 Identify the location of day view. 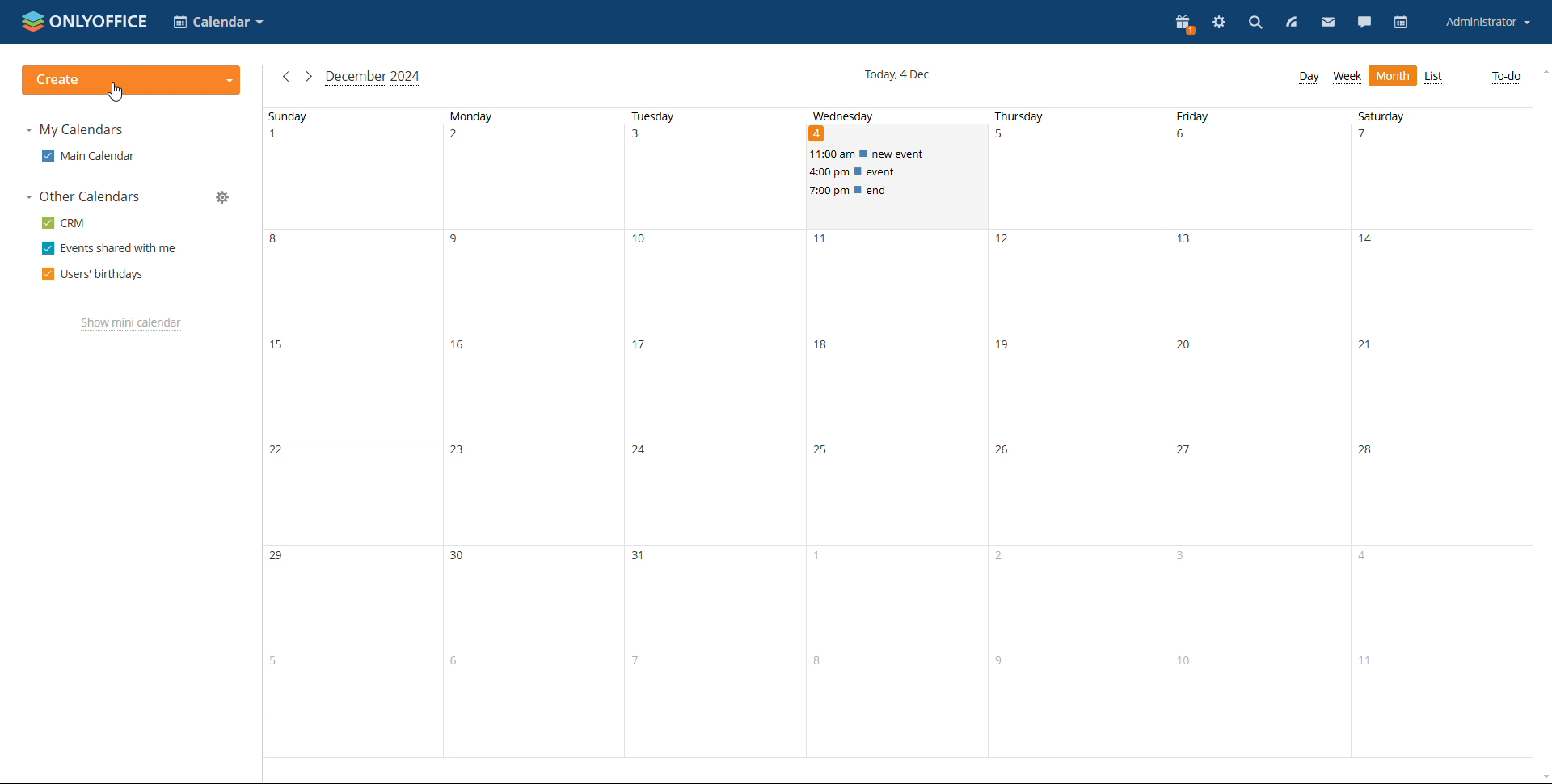
(1309, 78).